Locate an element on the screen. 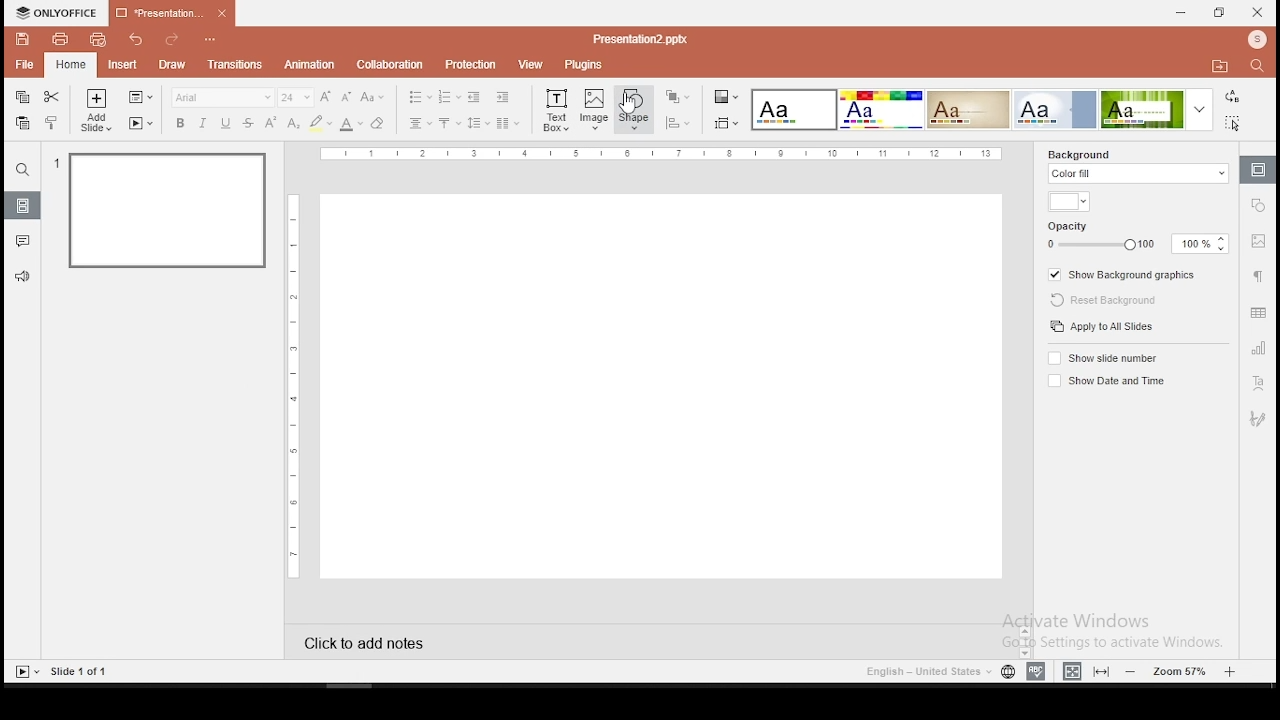  shape is located at coordinates (633, 108).